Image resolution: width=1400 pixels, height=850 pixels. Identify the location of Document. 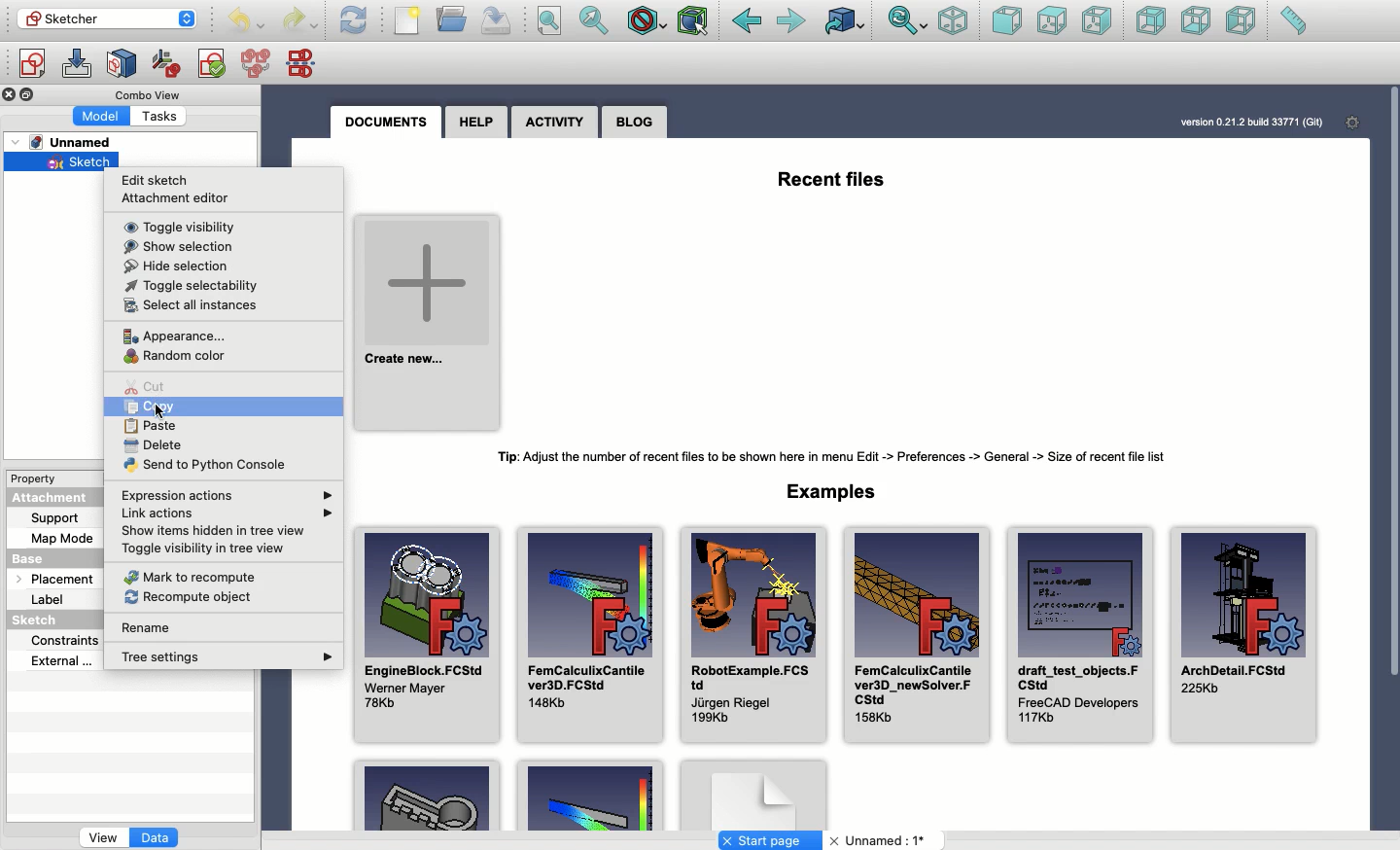
(753, 794).